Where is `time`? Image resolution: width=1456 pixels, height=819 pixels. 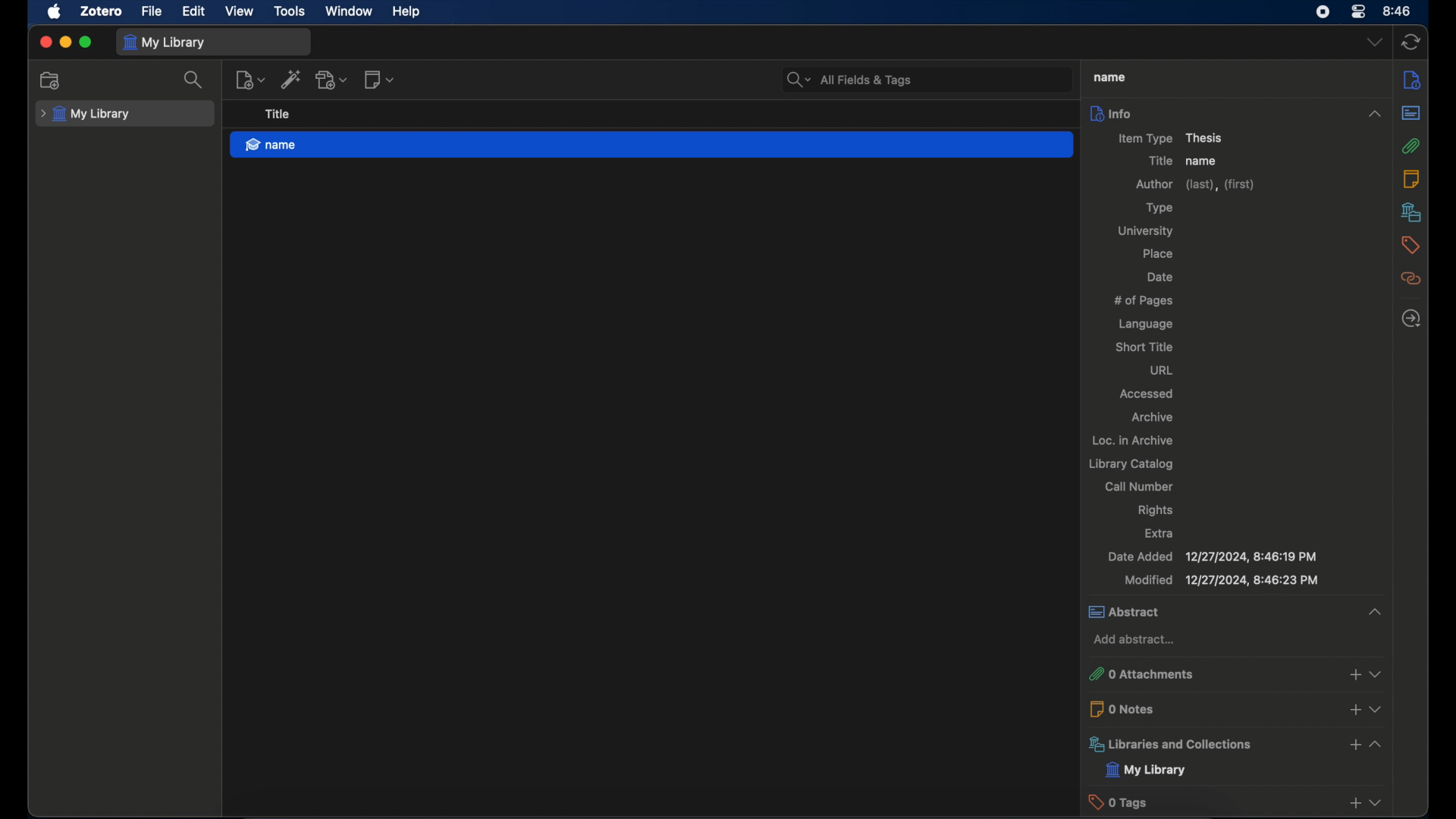
time is located at coordinates (1398, 10).